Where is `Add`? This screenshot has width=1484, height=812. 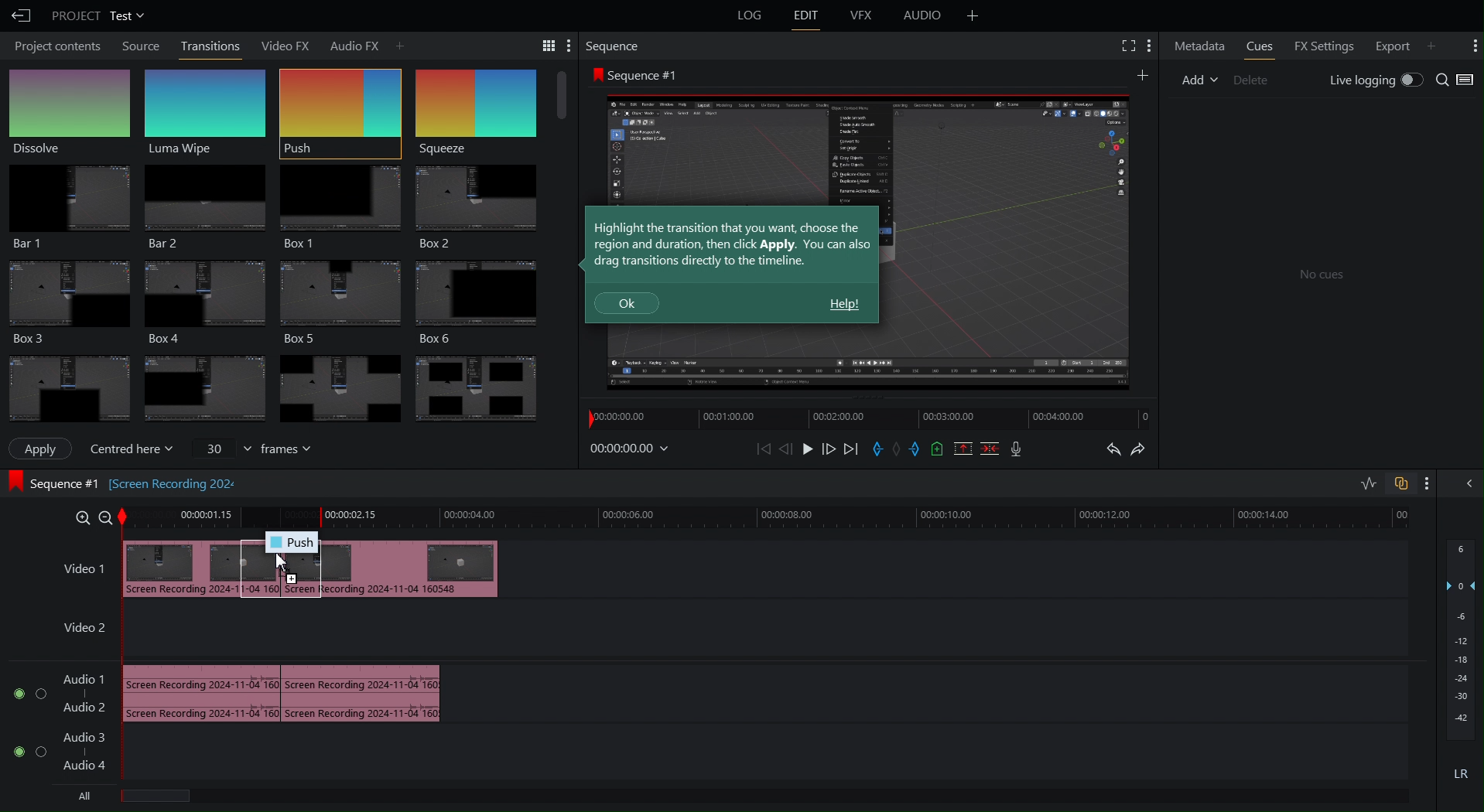
Add is located at coordinates (1431, 46).